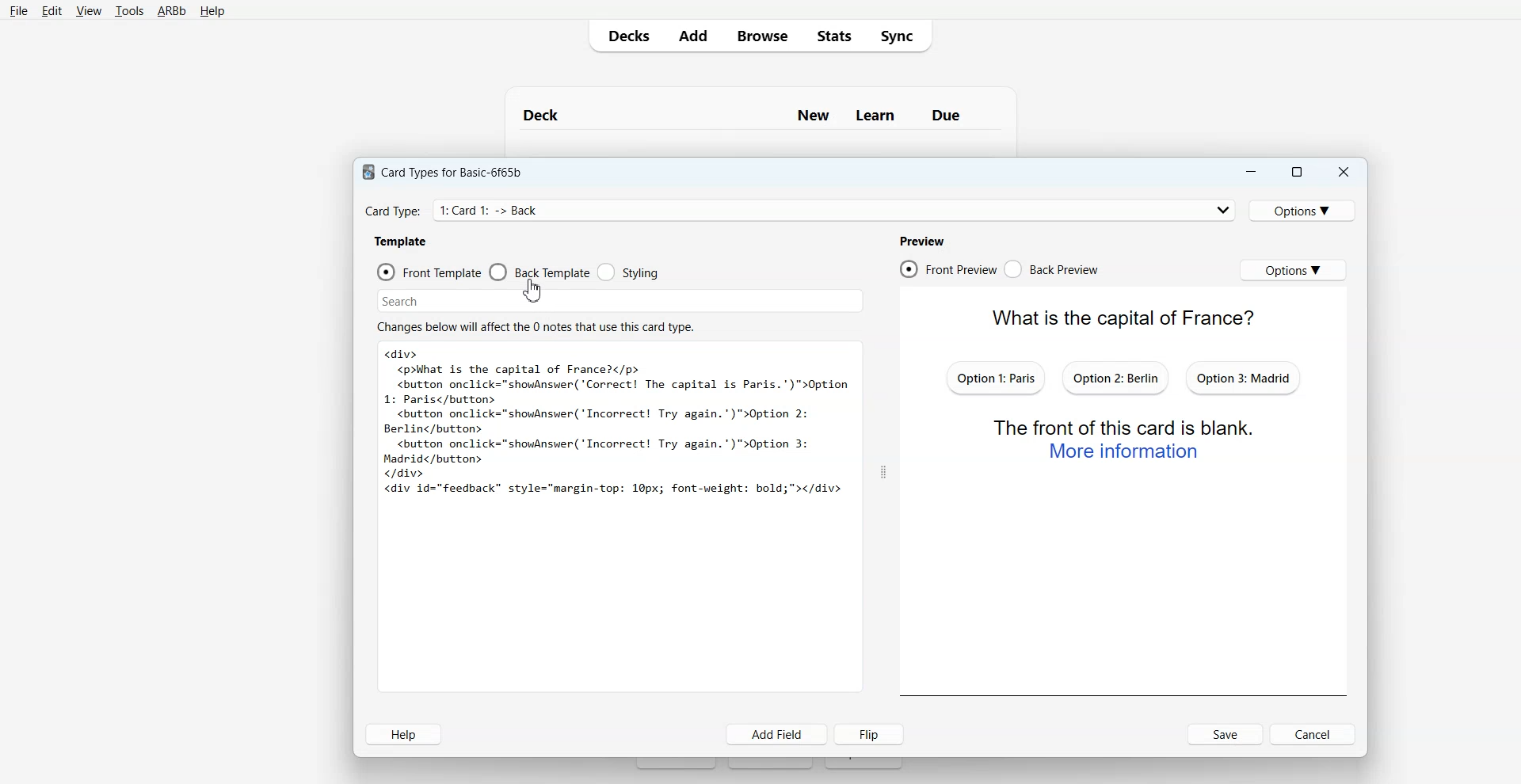 The height and width of the screenshot is (784, 1521). I want to click on Card Type, so click(799, 209).